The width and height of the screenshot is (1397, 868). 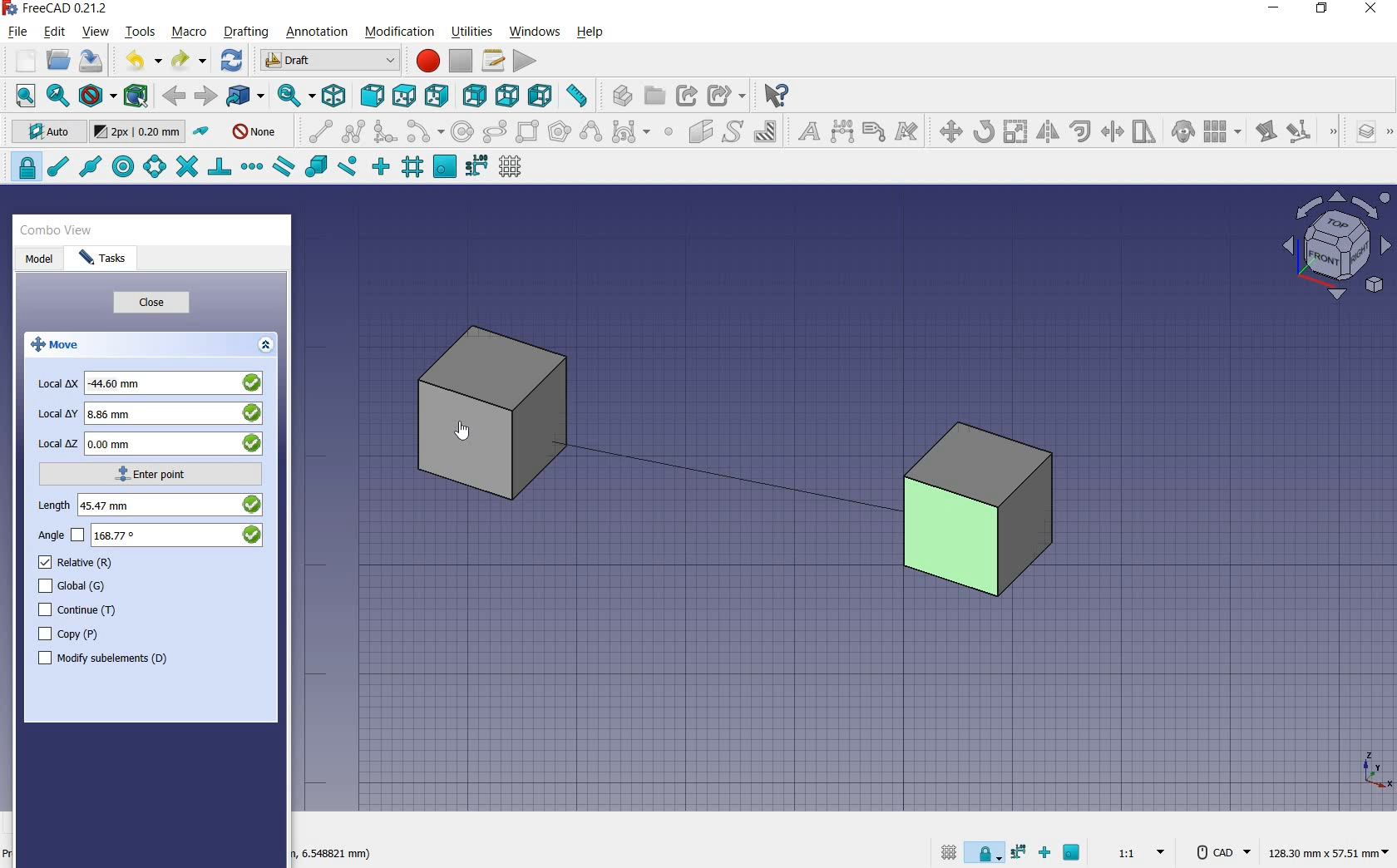 What do you see at coordinates (280, 229) in the screenshot?
I see `close` at bounding box center [280, 229].